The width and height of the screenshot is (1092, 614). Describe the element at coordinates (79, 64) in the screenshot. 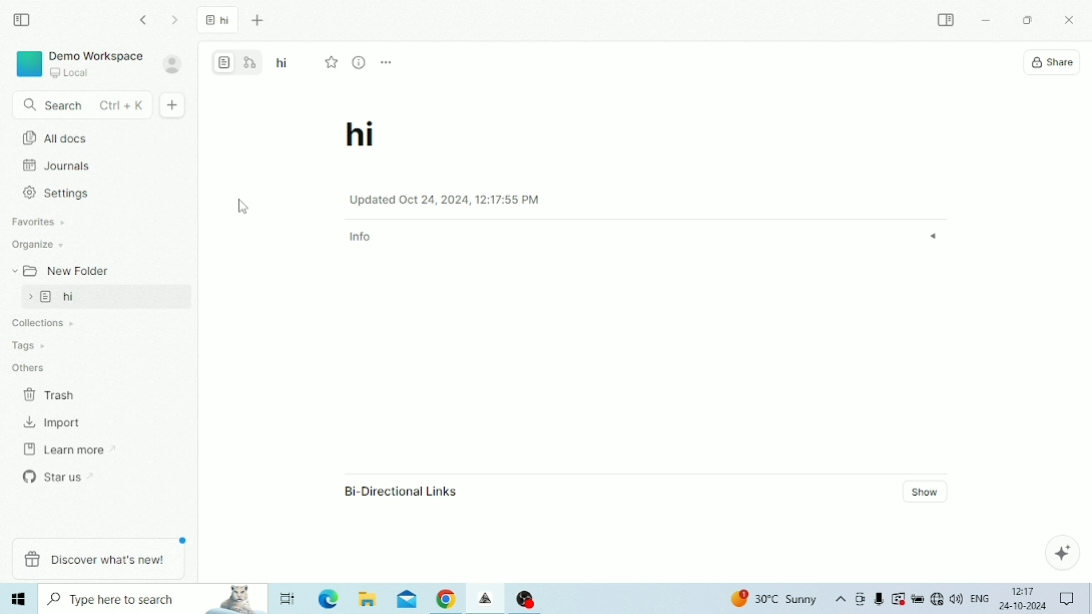

I see `Demo Workspace` at that location.